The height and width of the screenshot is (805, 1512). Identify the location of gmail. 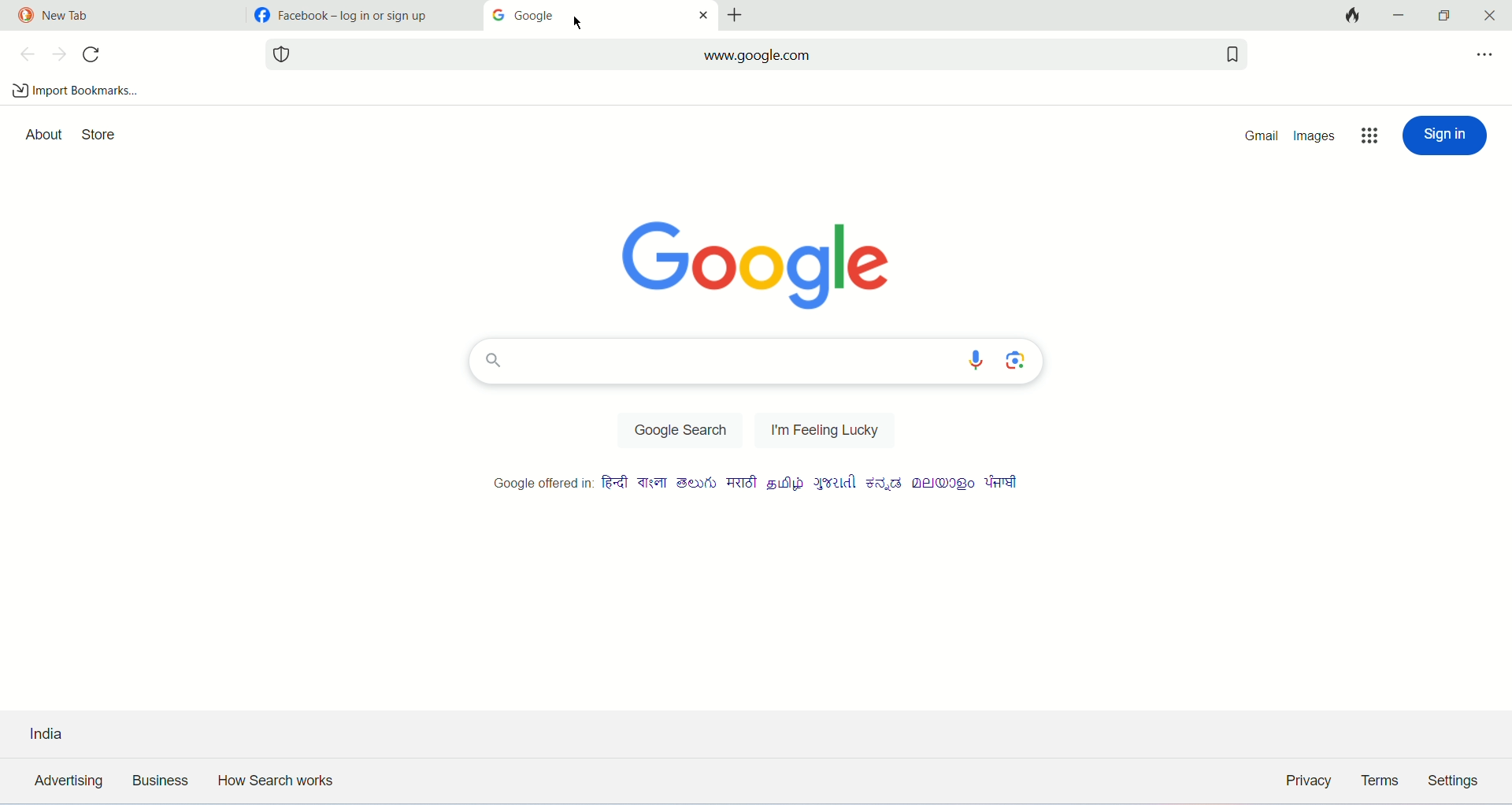
(1262, 135).